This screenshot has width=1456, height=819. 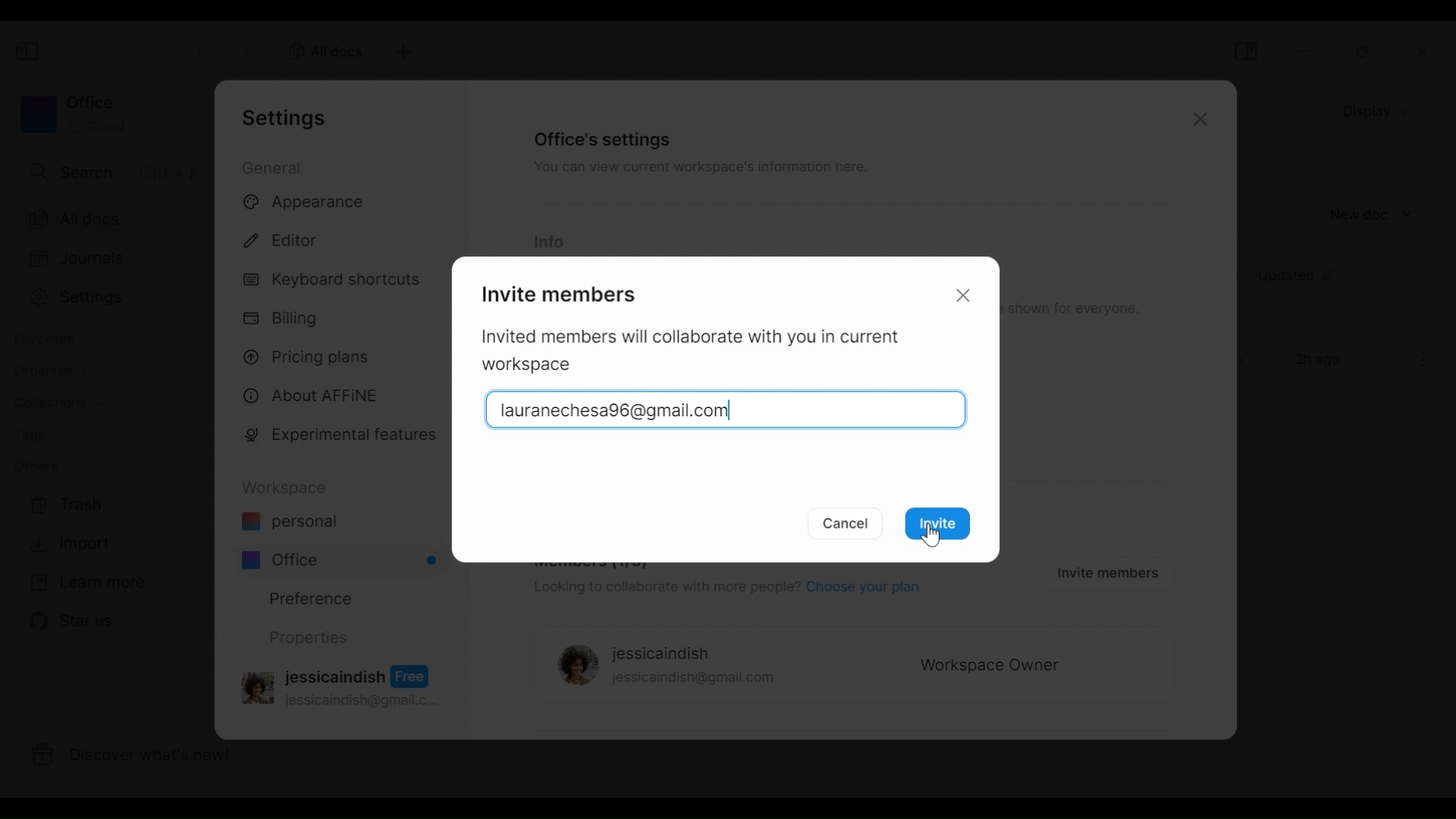 What do you see at coordinates (931, 533) in the screenshot?
I see `Cursor` at bounding box center [931, 533].